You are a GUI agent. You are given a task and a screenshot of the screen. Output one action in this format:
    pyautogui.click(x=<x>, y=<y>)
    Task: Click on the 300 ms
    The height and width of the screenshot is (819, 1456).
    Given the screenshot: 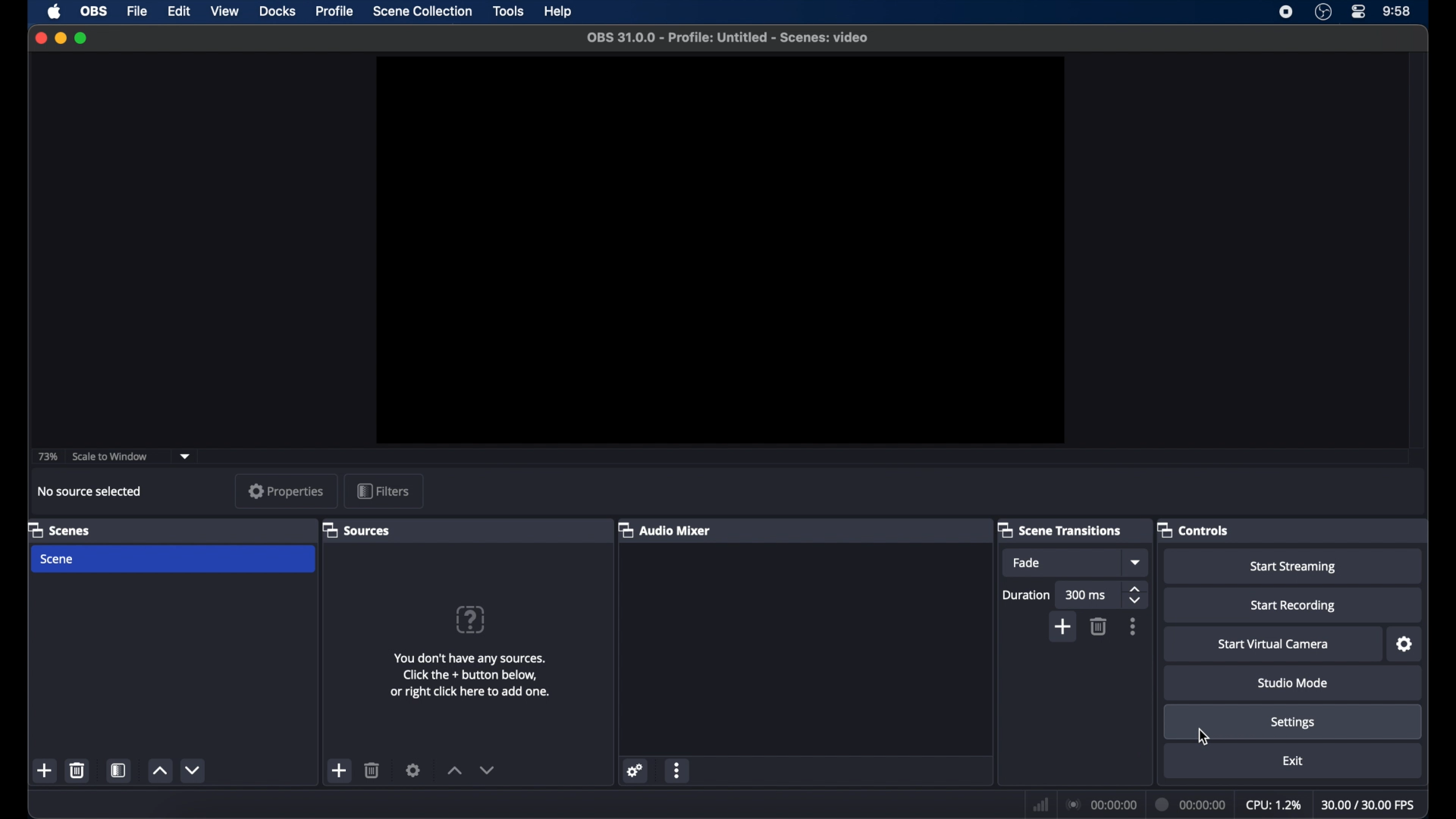 What is the action you would take?
    pyautogui.click(x=1086, y=596)
    